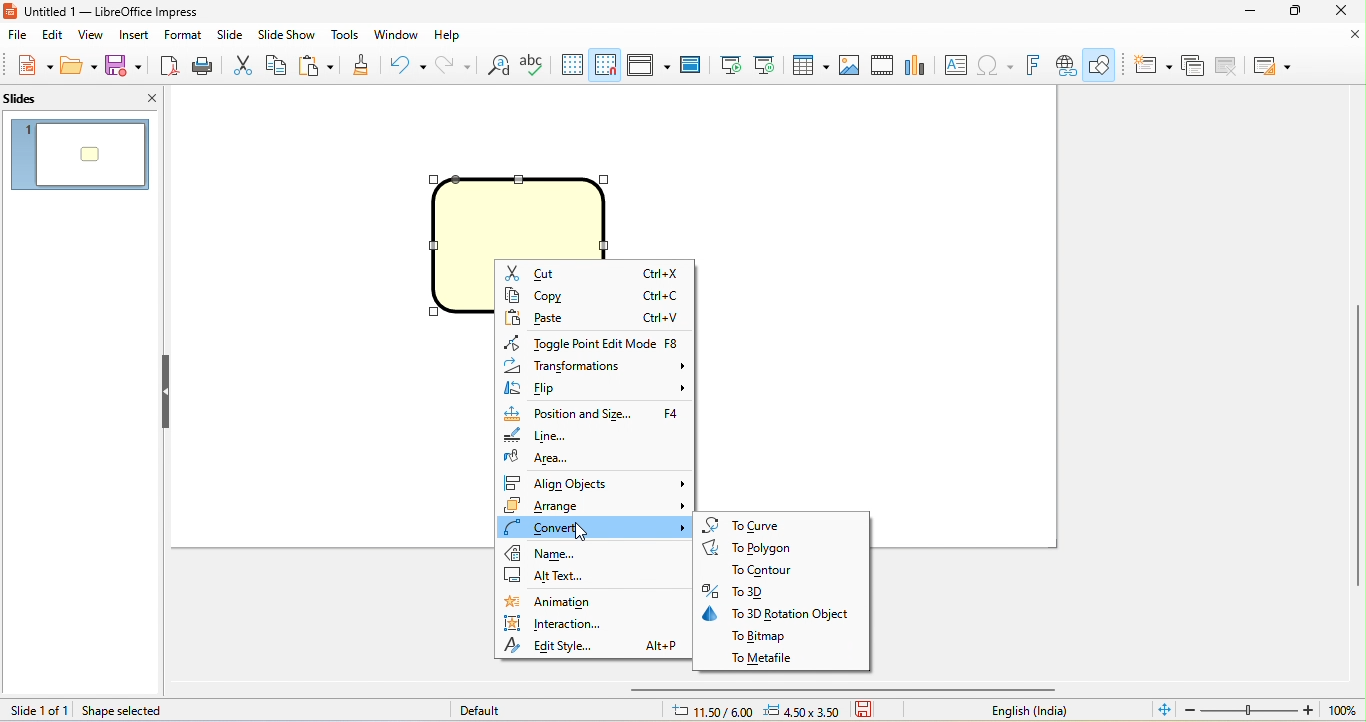  I want to click on hide, so click(167, 391).